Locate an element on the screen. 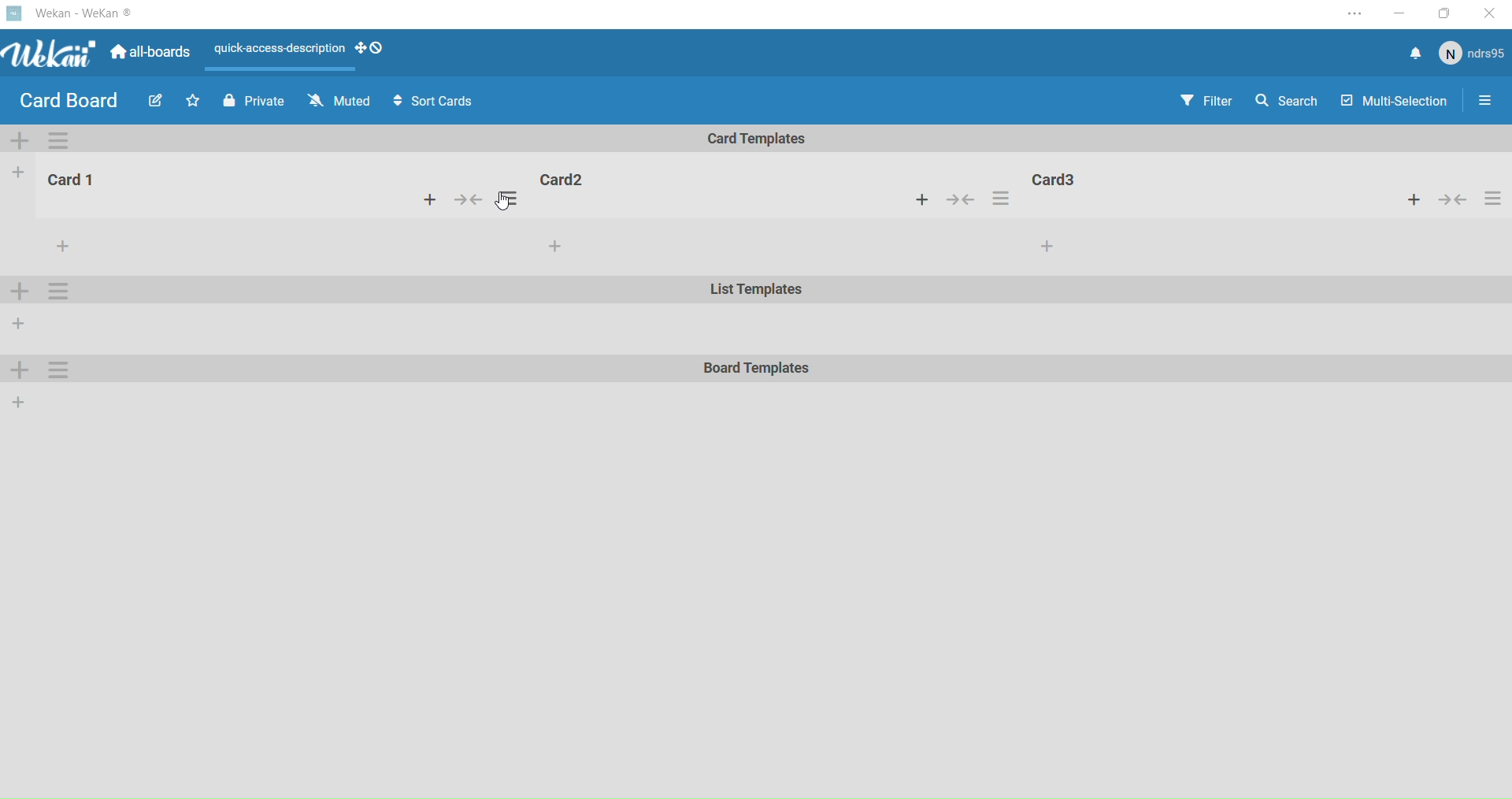 This screenshot has width=1512, height=799. add is located at coordinates (16, 173).